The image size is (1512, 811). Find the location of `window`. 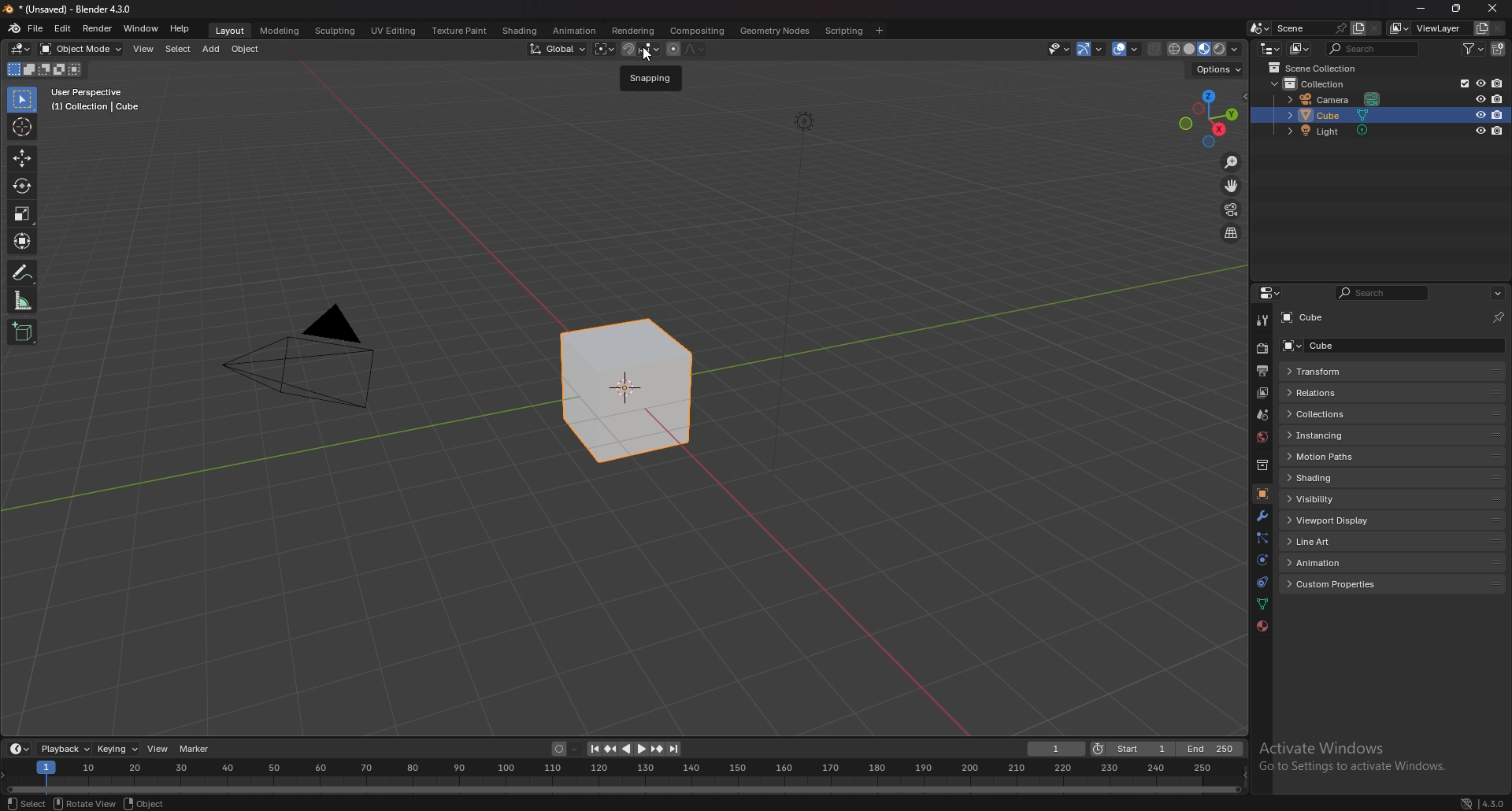

window is located at coordinates (140, 28).